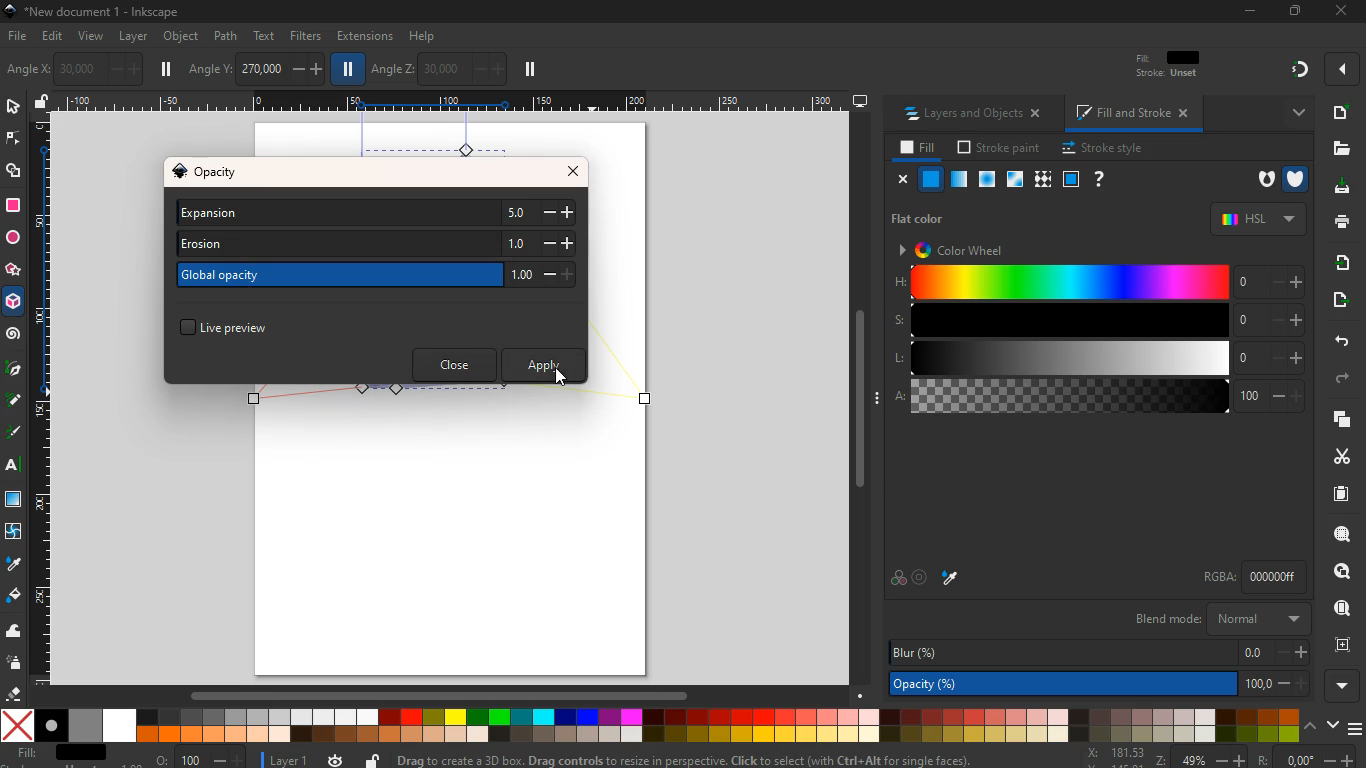 The width and height of the screenshot is (1366, 768). What do you see at coordinates (1338, 421) in the screenshot?
I see `layers` at bounding box center [1338, 421].